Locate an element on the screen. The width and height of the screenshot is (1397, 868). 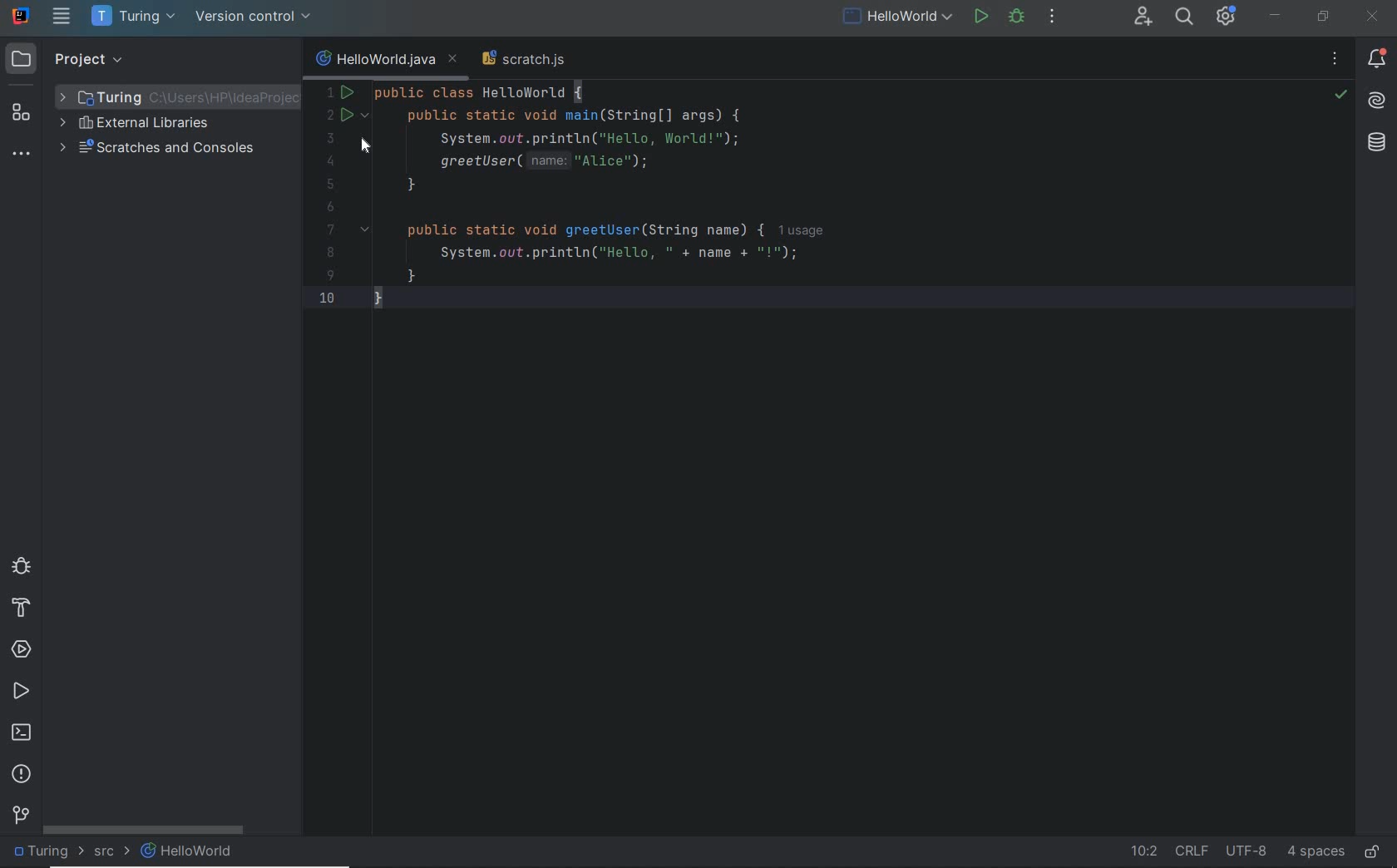
run is located at coordinates (22, 693).